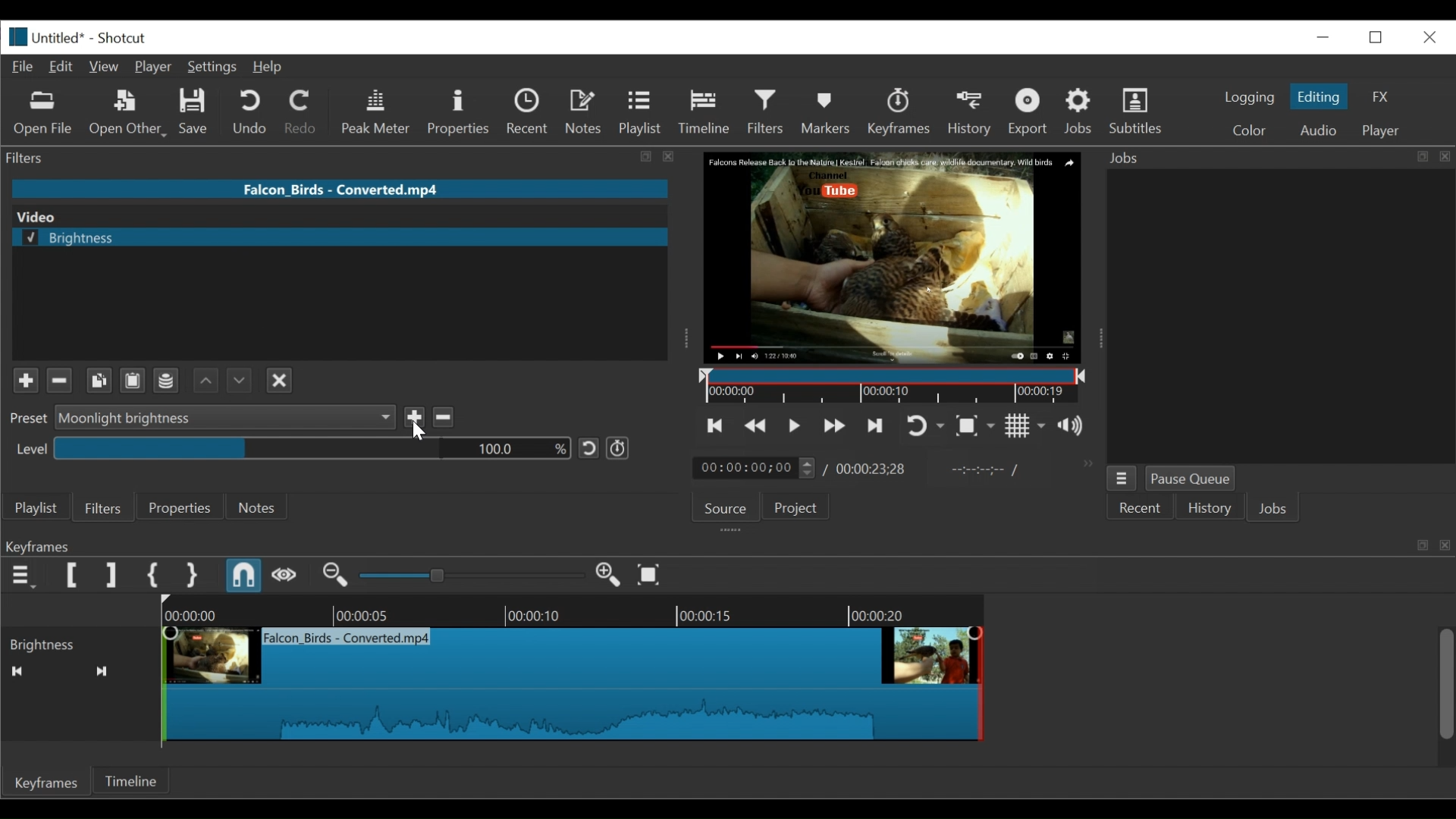  I want to click on Preset, so click(24, 421).